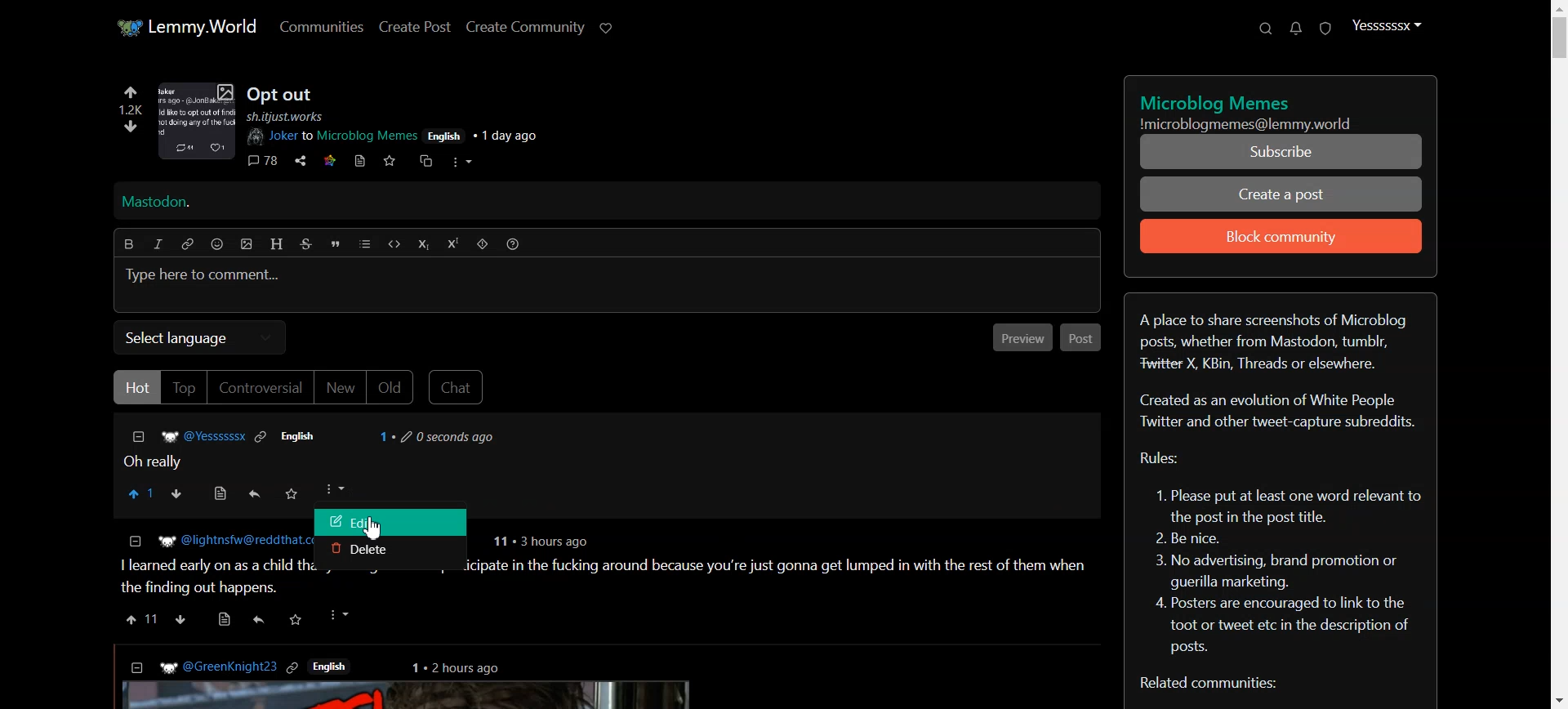 The image size is (1568, 709). What do you see at coordinates (320, 26) in the screenshot?
I see `Communities` at bounding box center [320, 26].